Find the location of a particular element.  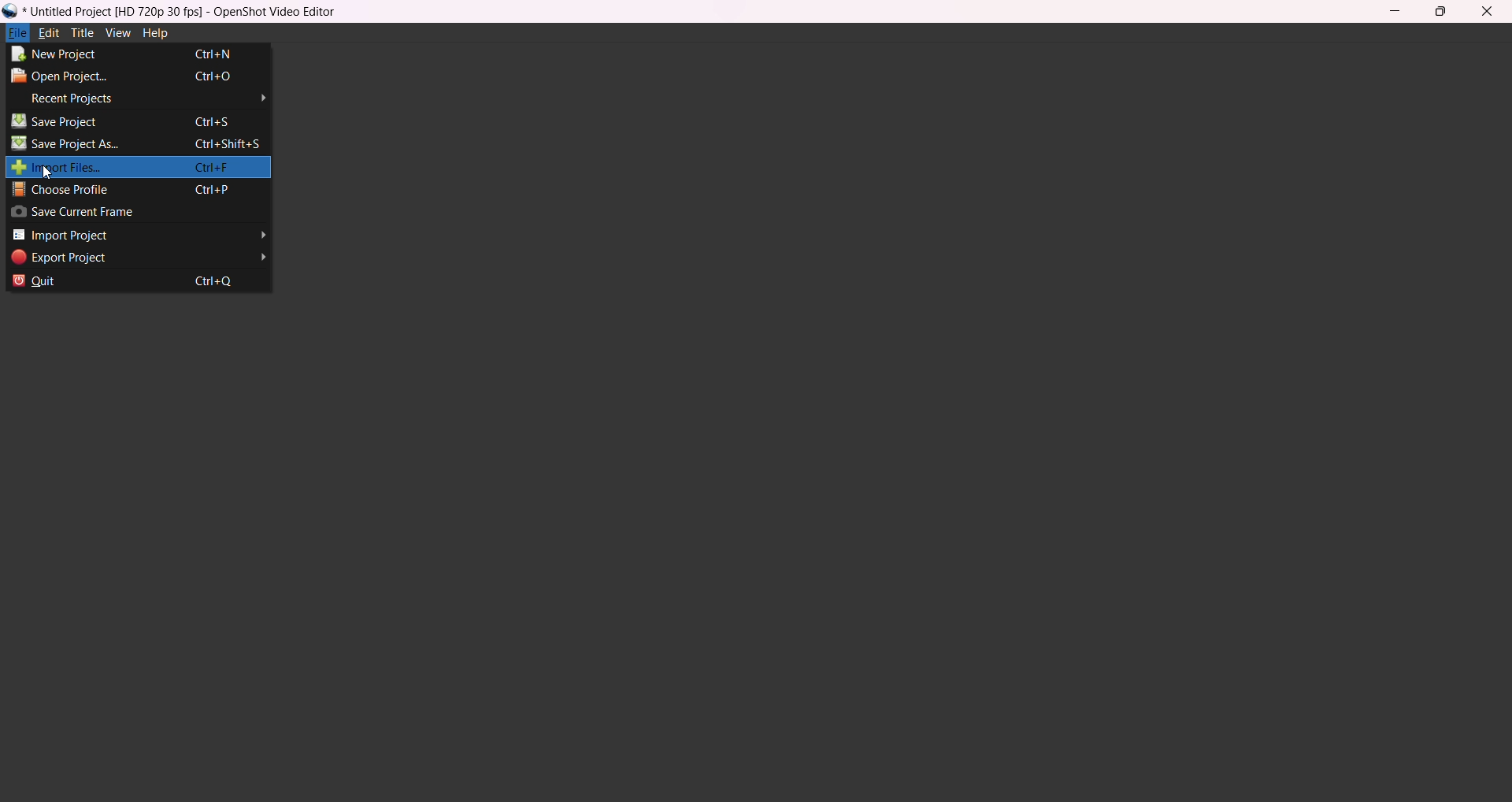

import file is located at coordinates (128, 167).